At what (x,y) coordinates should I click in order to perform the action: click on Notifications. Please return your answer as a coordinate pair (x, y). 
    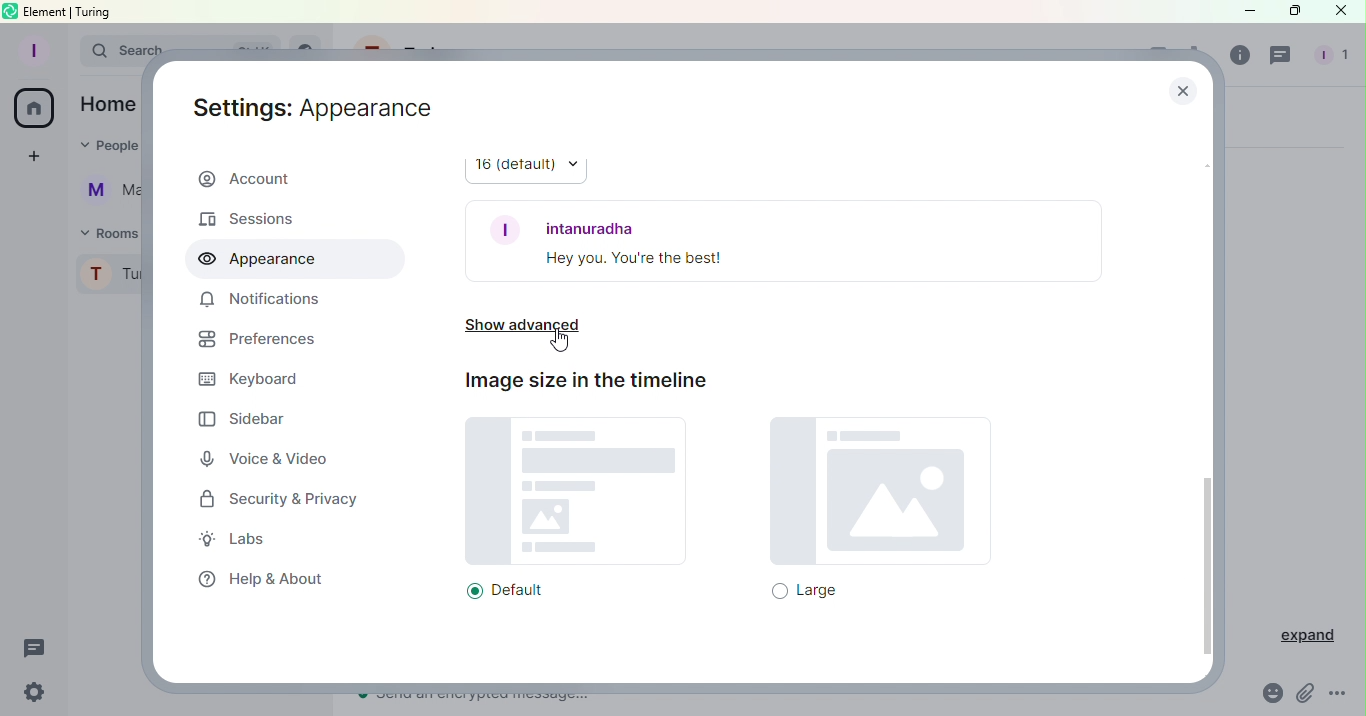
    Looking at the image, I should click on (256, 301).